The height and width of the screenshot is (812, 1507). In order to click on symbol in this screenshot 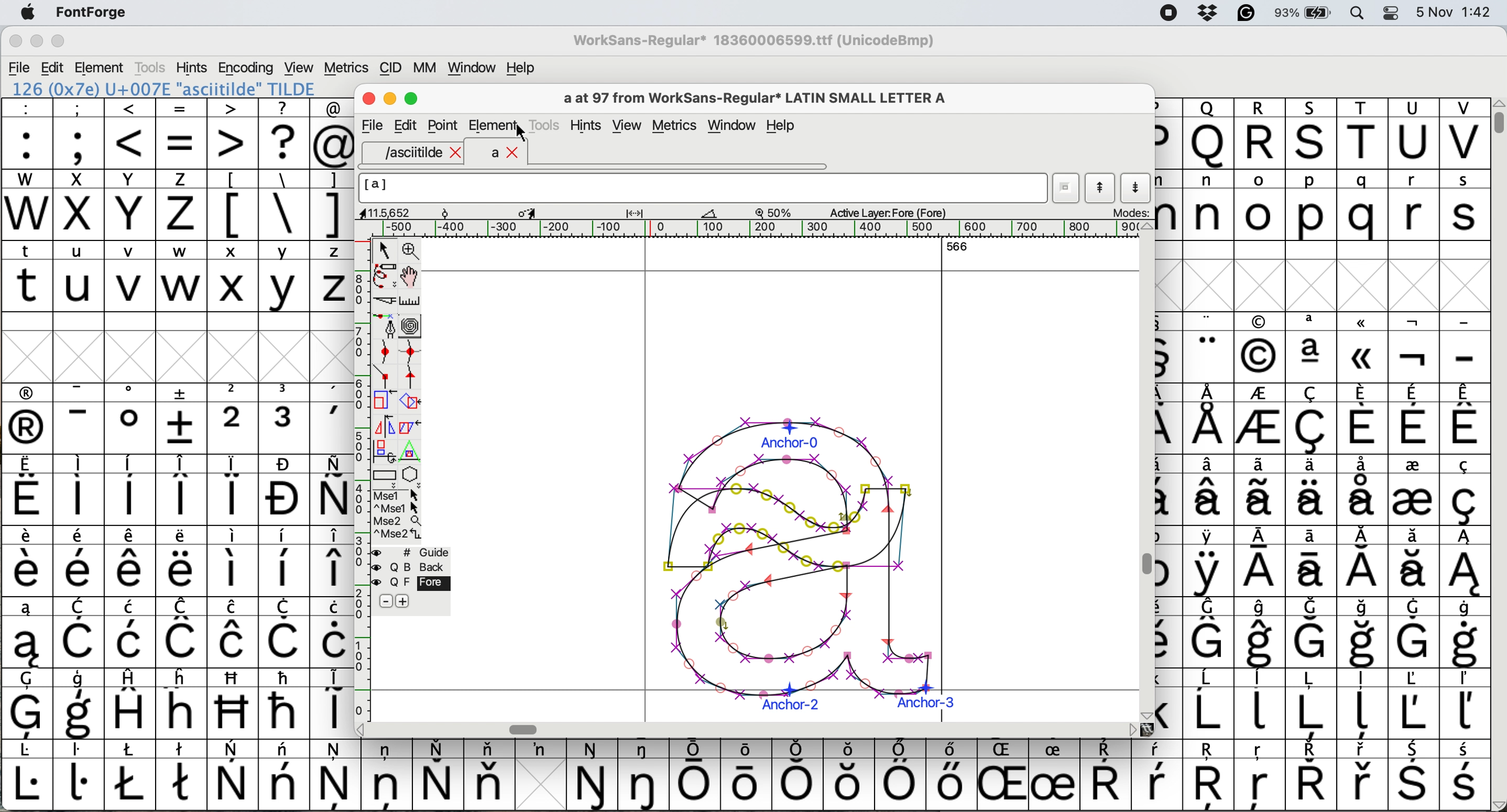, I will do `click(800, 774)`.